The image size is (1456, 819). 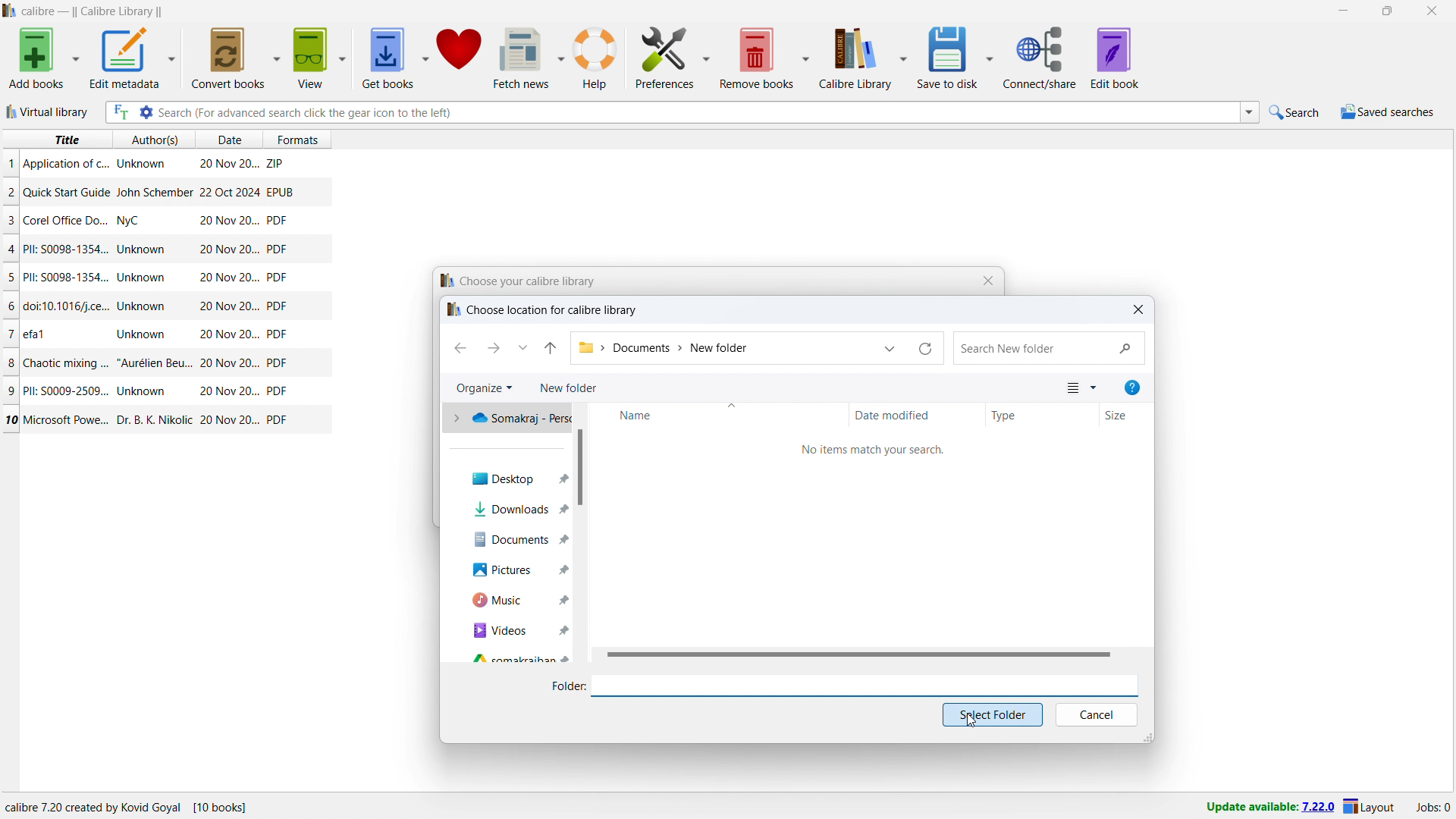 What do you see at coordinates (1341, 11) in the screenshot?
I see `minimize` at bounding box center [1341, 11].